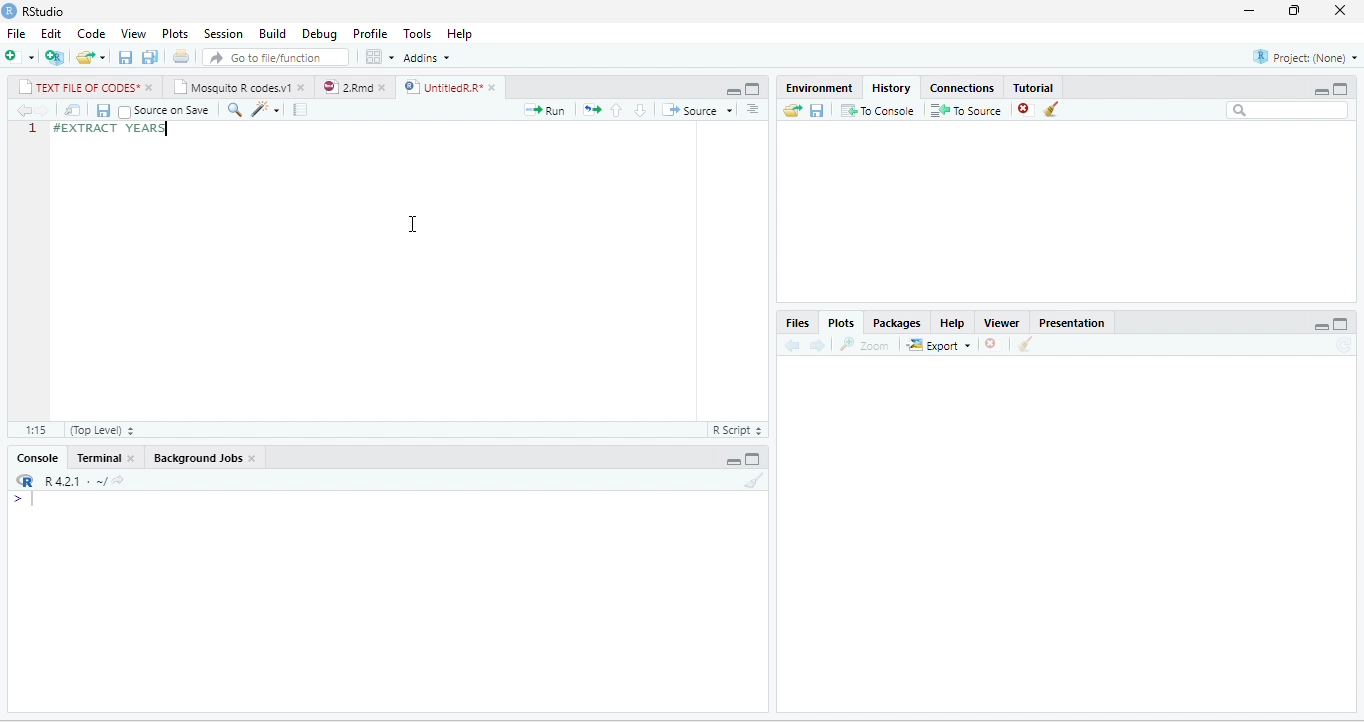  What do you see at coordinates (224, 33) in the screenshot?
I see `Session` at bounding box center [224, 33].